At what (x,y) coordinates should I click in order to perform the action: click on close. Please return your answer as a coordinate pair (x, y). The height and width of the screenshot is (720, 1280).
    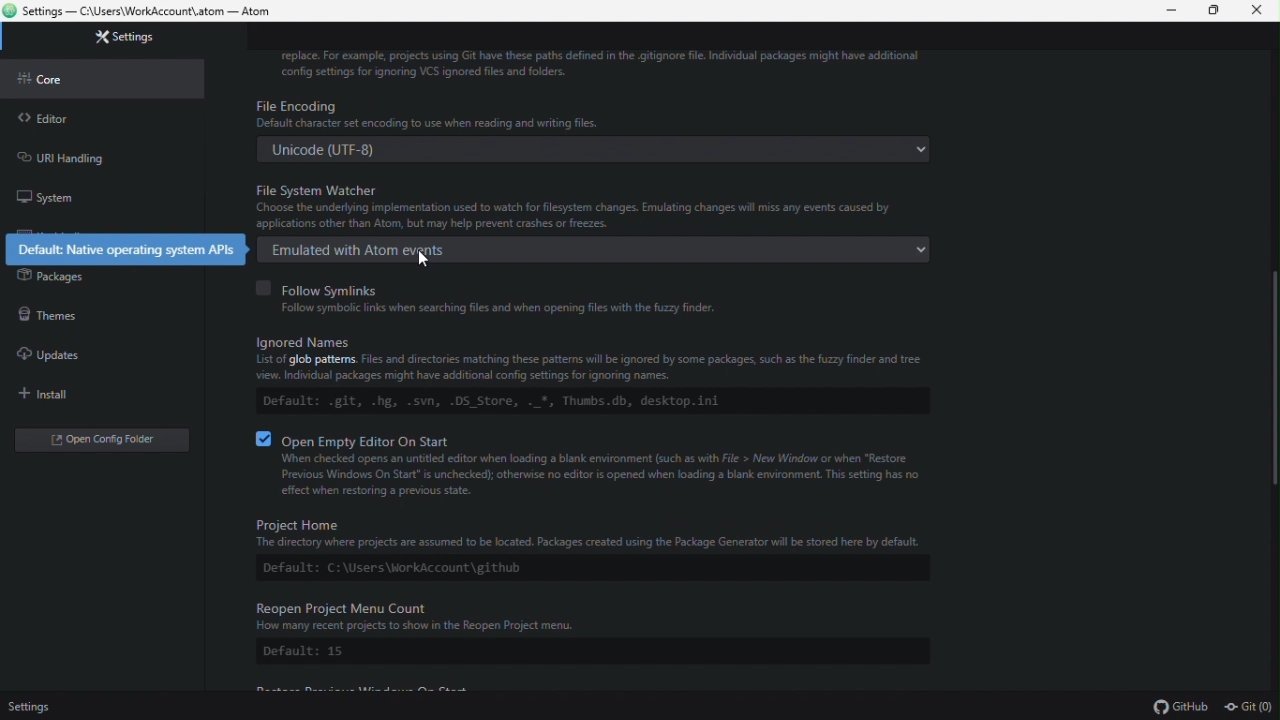
    Looking at the image, I should click on (1258, 11).